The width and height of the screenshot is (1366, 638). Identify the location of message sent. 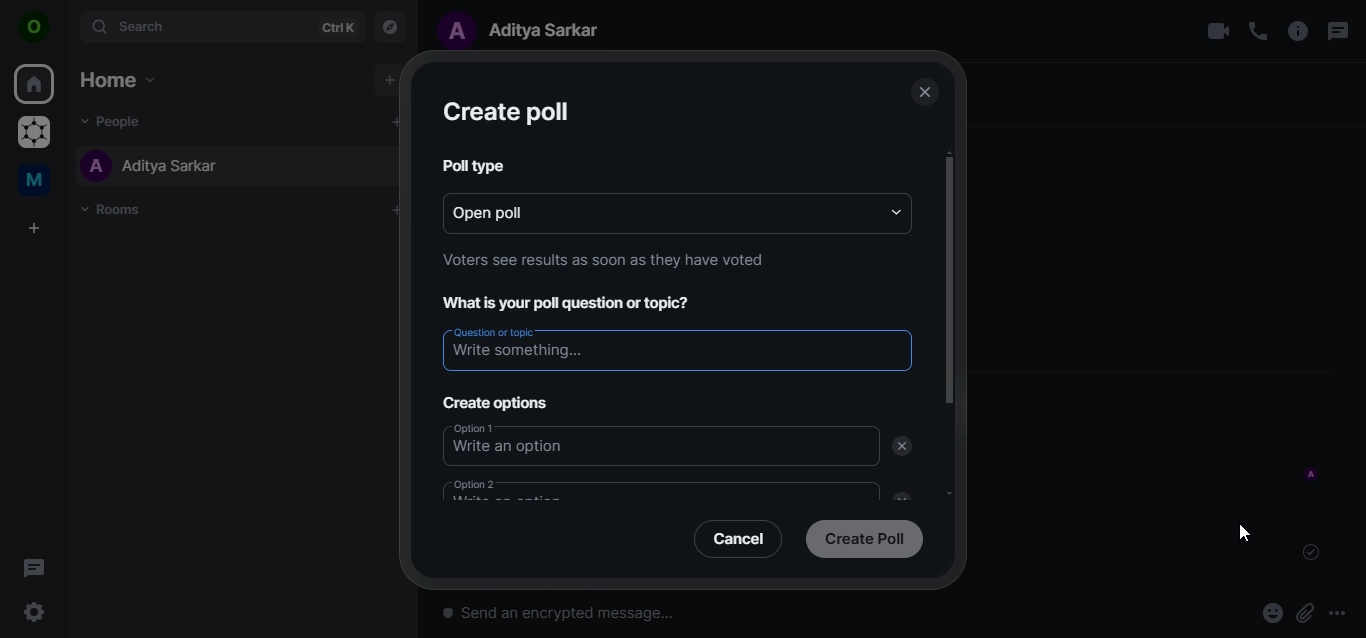
(1313, 552).